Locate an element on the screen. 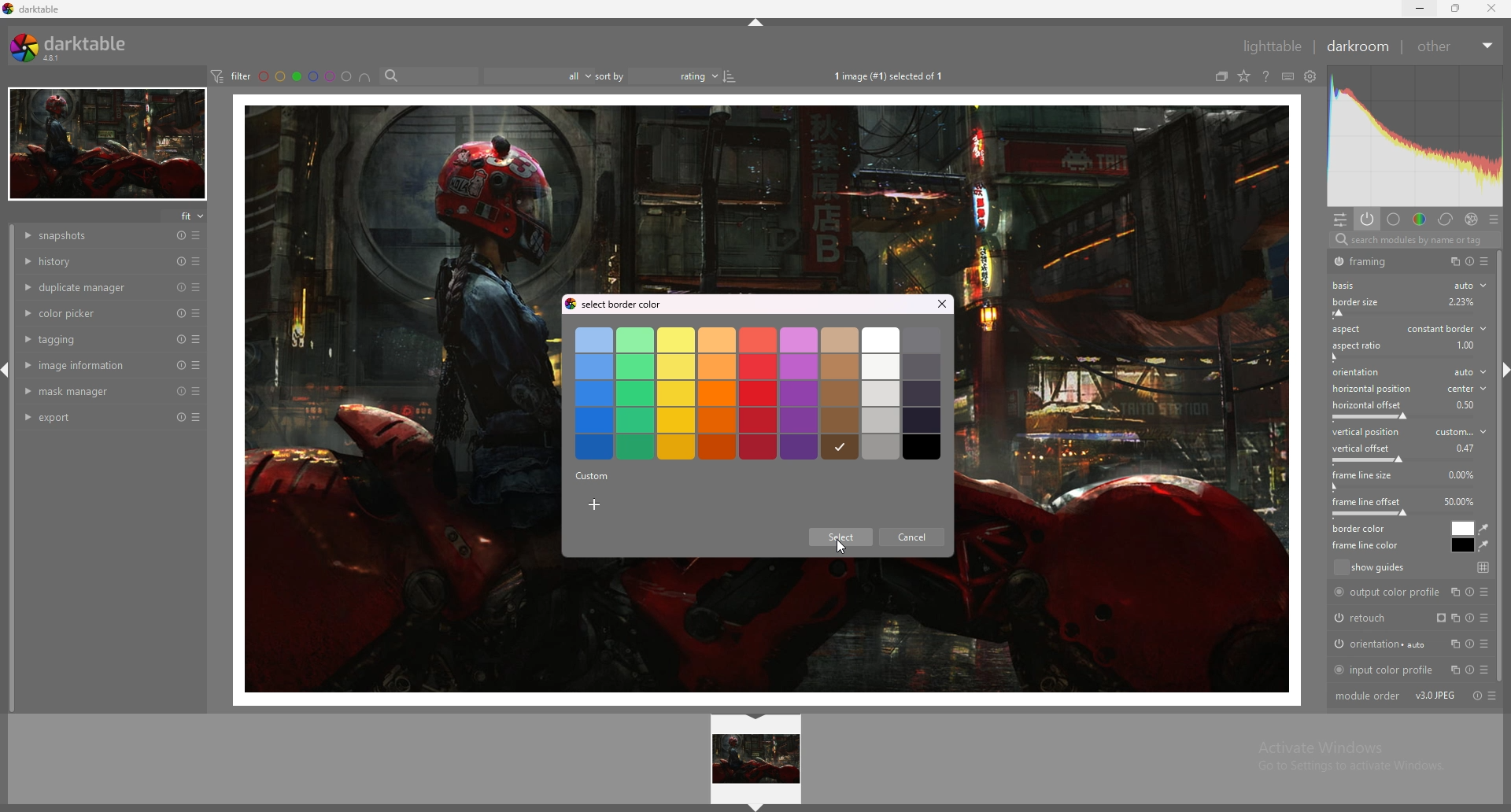 Image resolution: width=1511 pixels, height=812 pixels. presets is located at coordinates (1486, 262).